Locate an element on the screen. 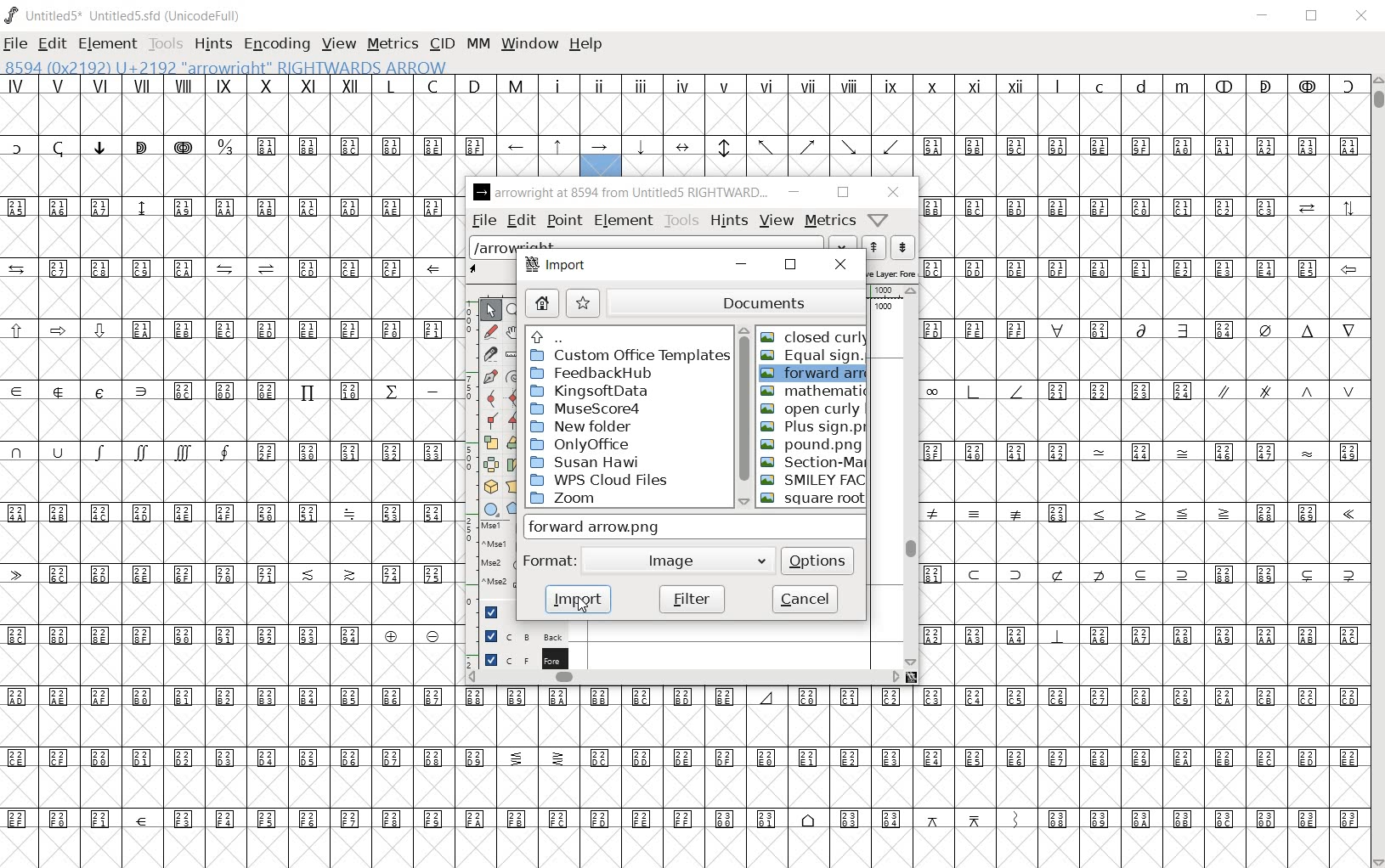 The image size is (1385, 868). mathematical summation is located at coordinates (814, 392).